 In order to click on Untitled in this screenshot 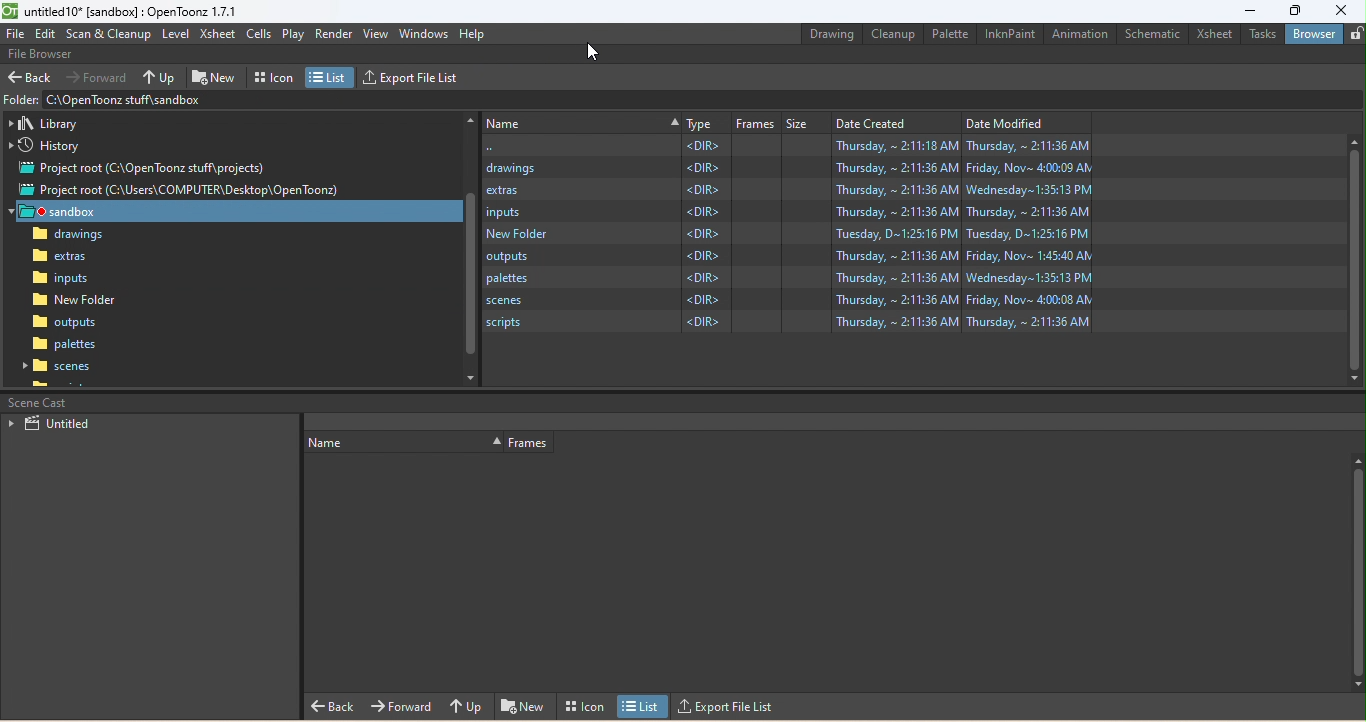, I will do `click(54, 422)`.